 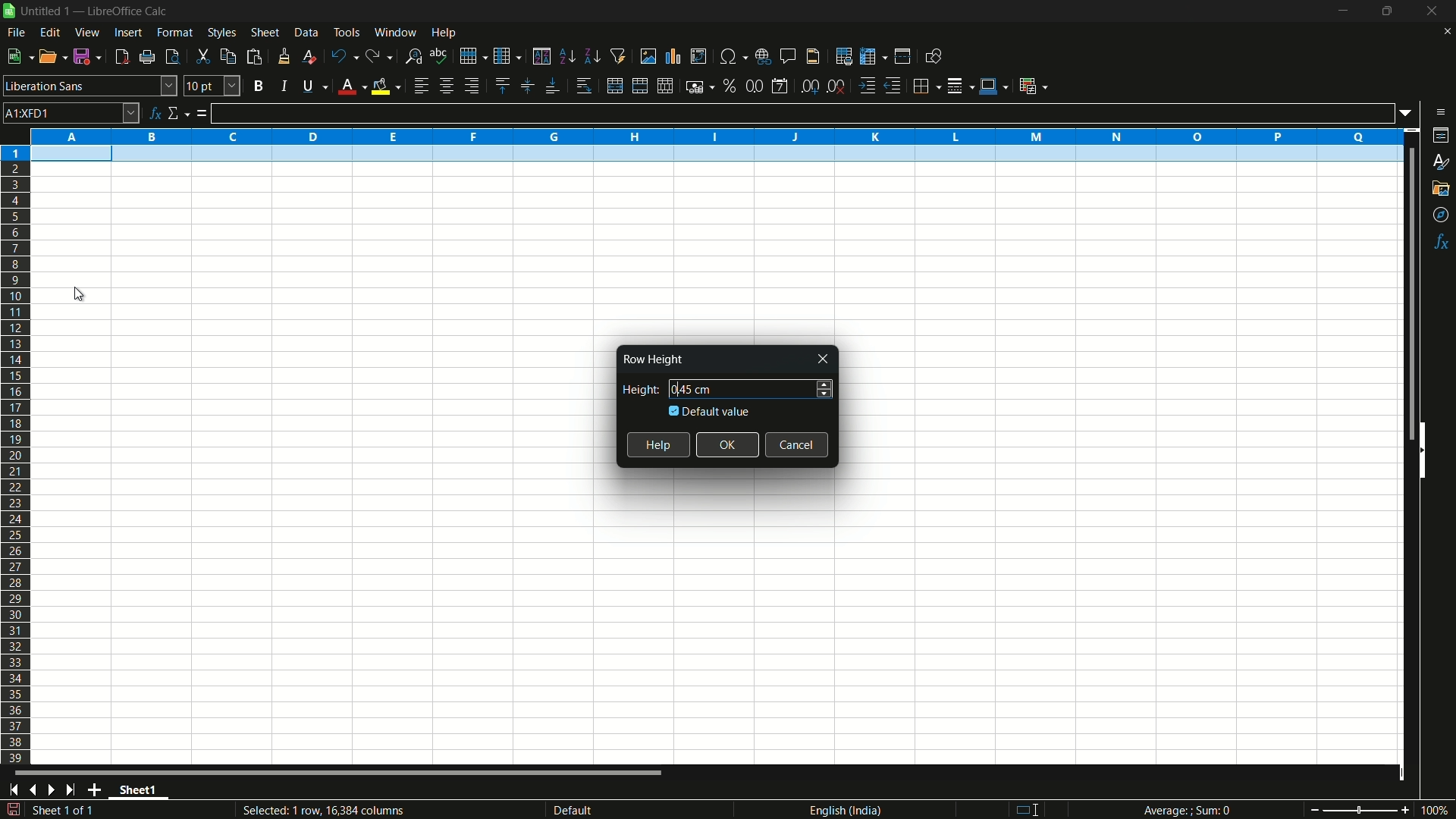 What do you see at coordinates (1440, 112) in the screenshot?
I see `sidebar settings` at bounding box center [1440, 112].